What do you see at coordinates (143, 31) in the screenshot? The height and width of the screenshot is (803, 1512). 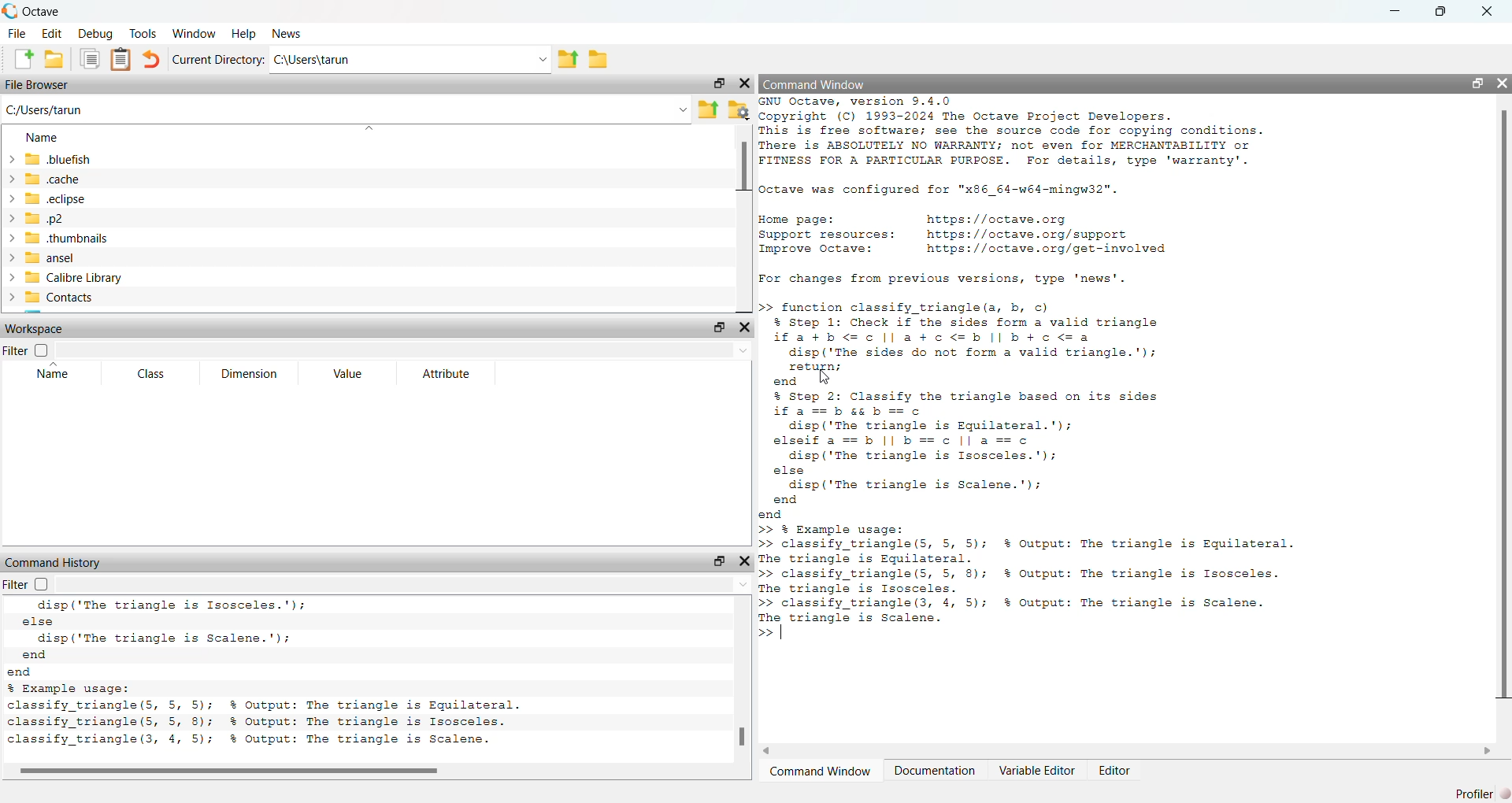 I see `tools` at bounding box center [143, 31].